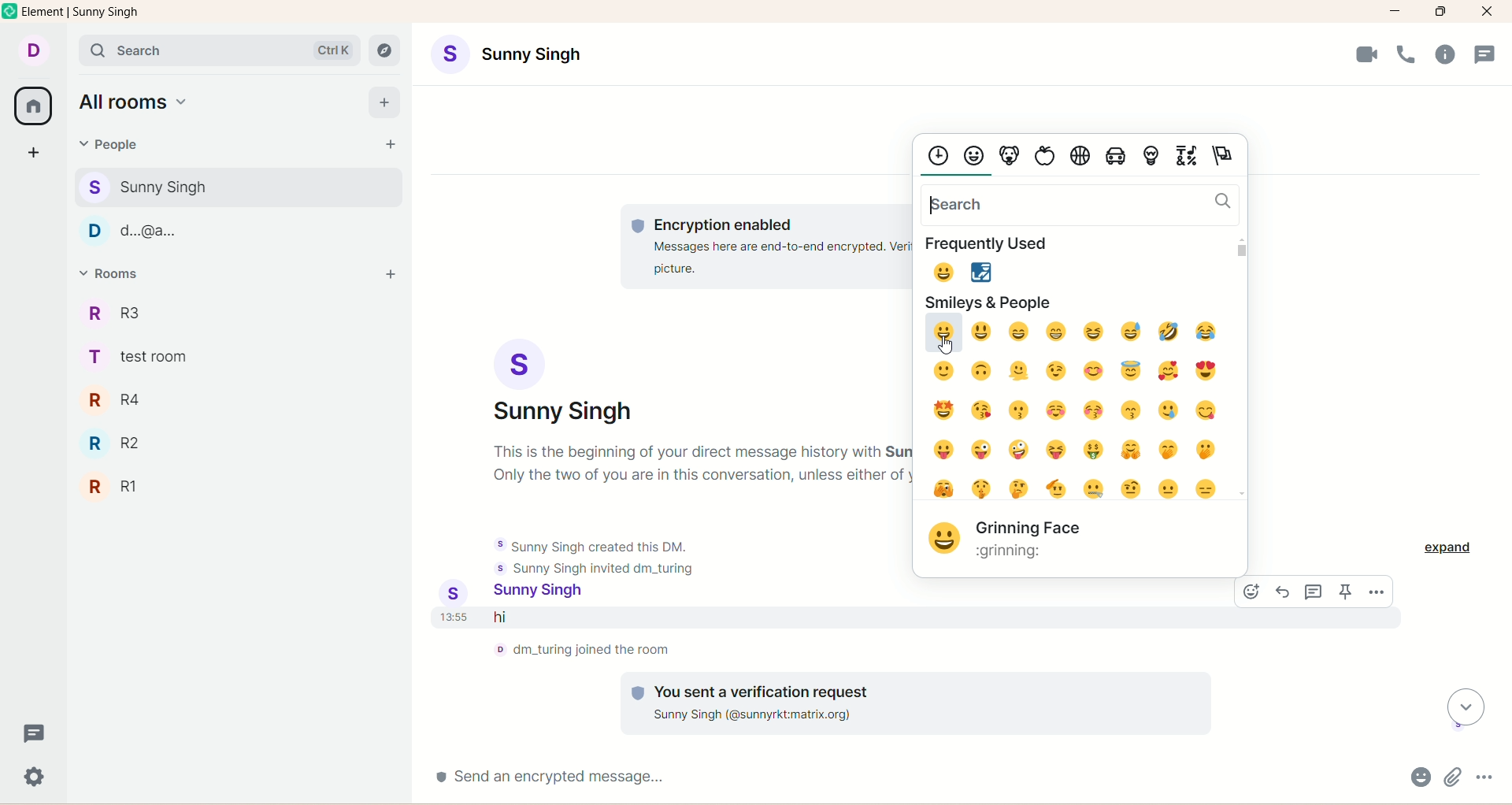  What do you see at coordinates (1206, 331) in the screenshot?
I see `Face with tears of joy` at bounding box center [1206, 331].